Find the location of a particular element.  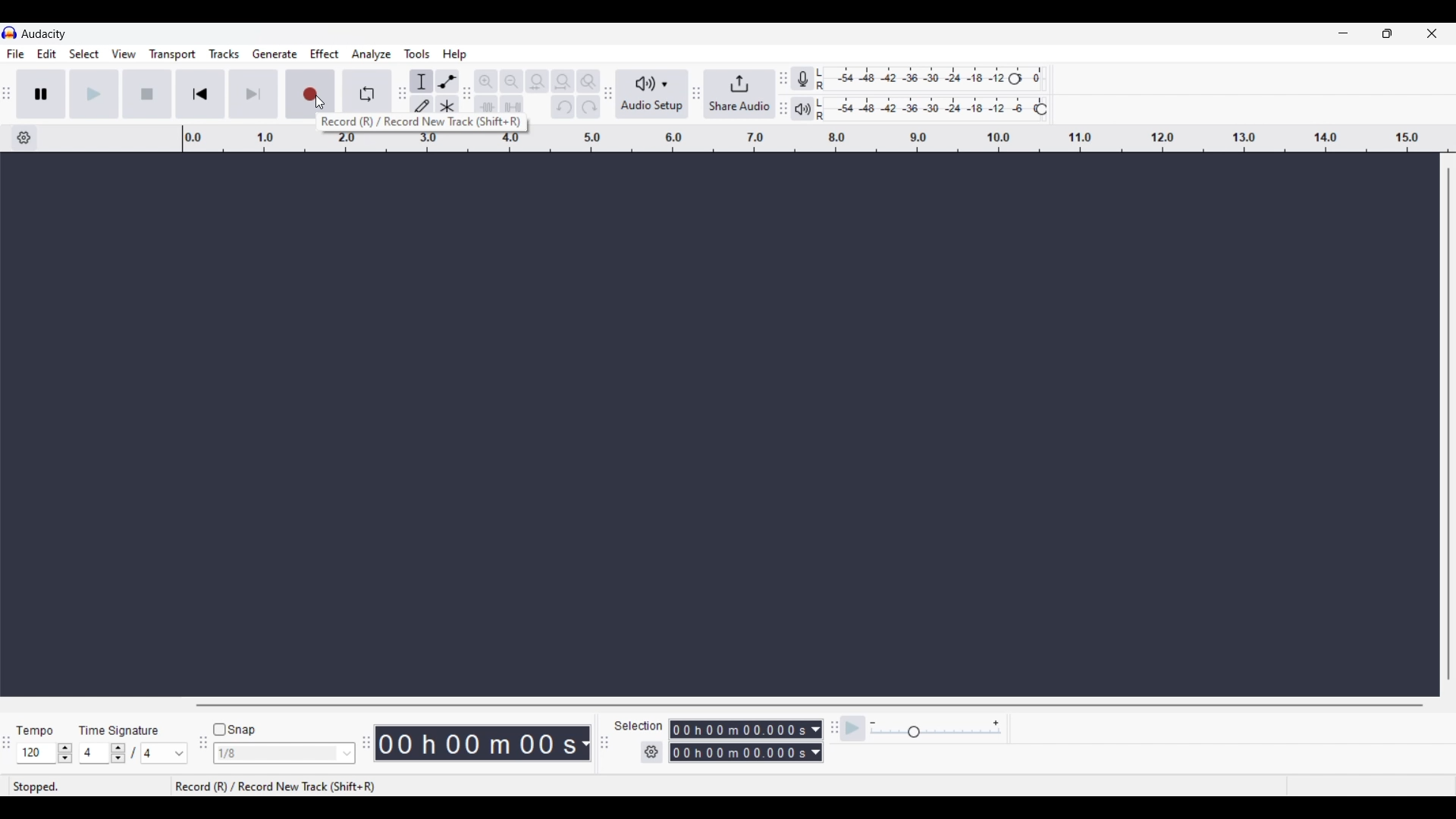

Analyze menu is located at coordinates (372, 55).